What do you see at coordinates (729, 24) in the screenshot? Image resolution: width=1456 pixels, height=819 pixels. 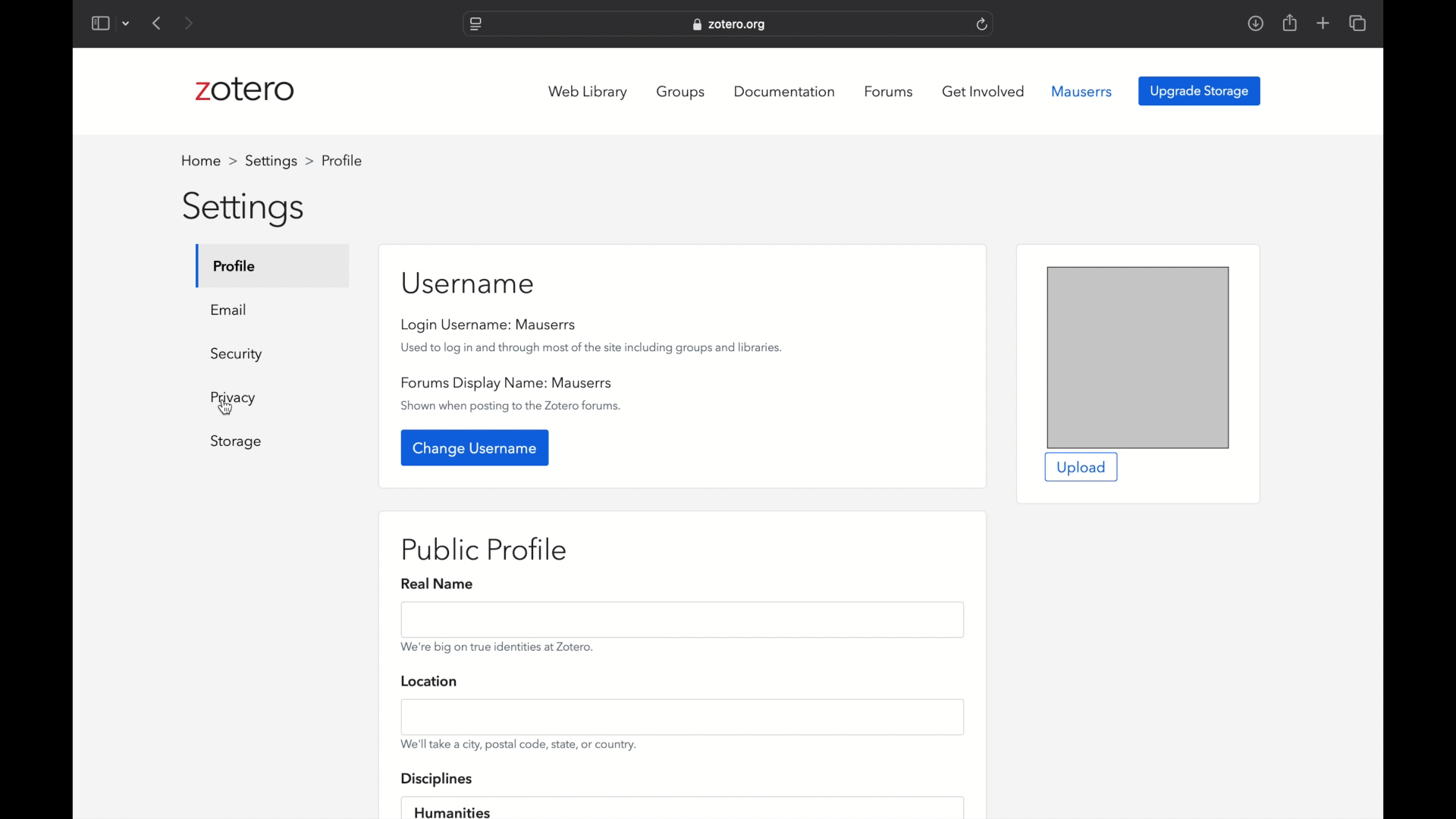 I see `website address` at bounding box center [729, 24].